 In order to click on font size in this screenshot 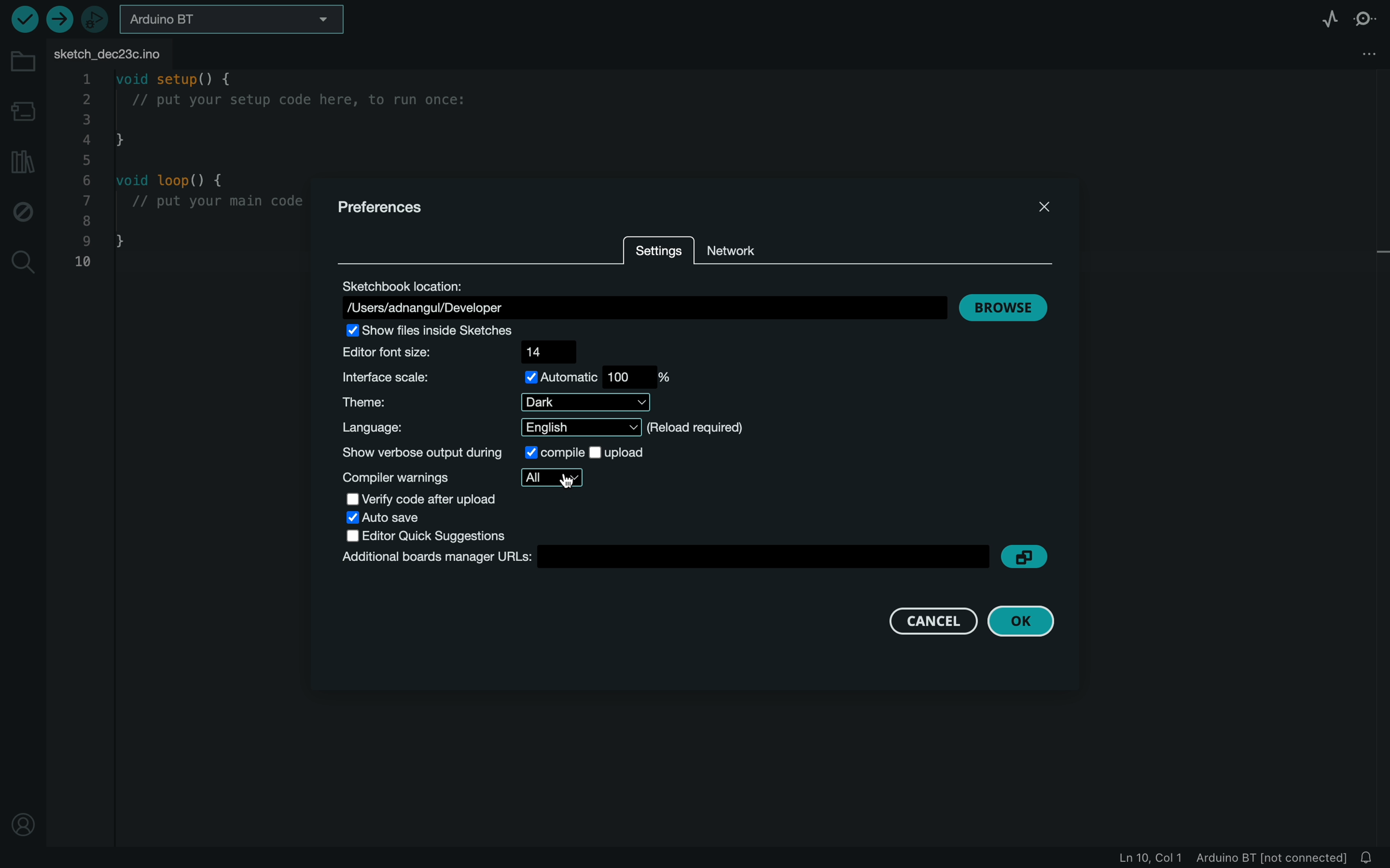, I will do `click(458, 355)`.